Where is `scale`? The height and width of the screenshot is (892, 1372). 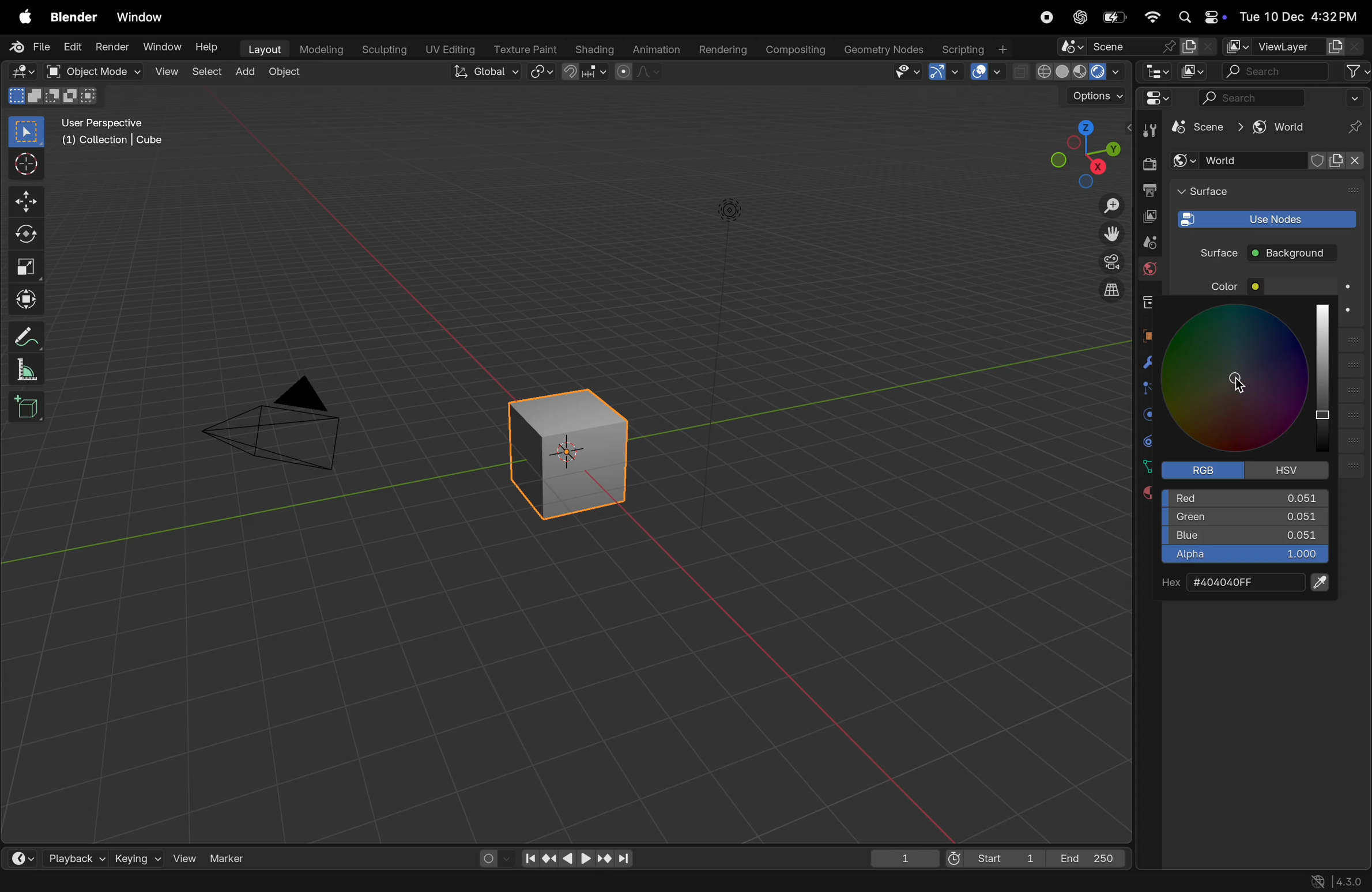 scale is located at coordinates (31, 369).